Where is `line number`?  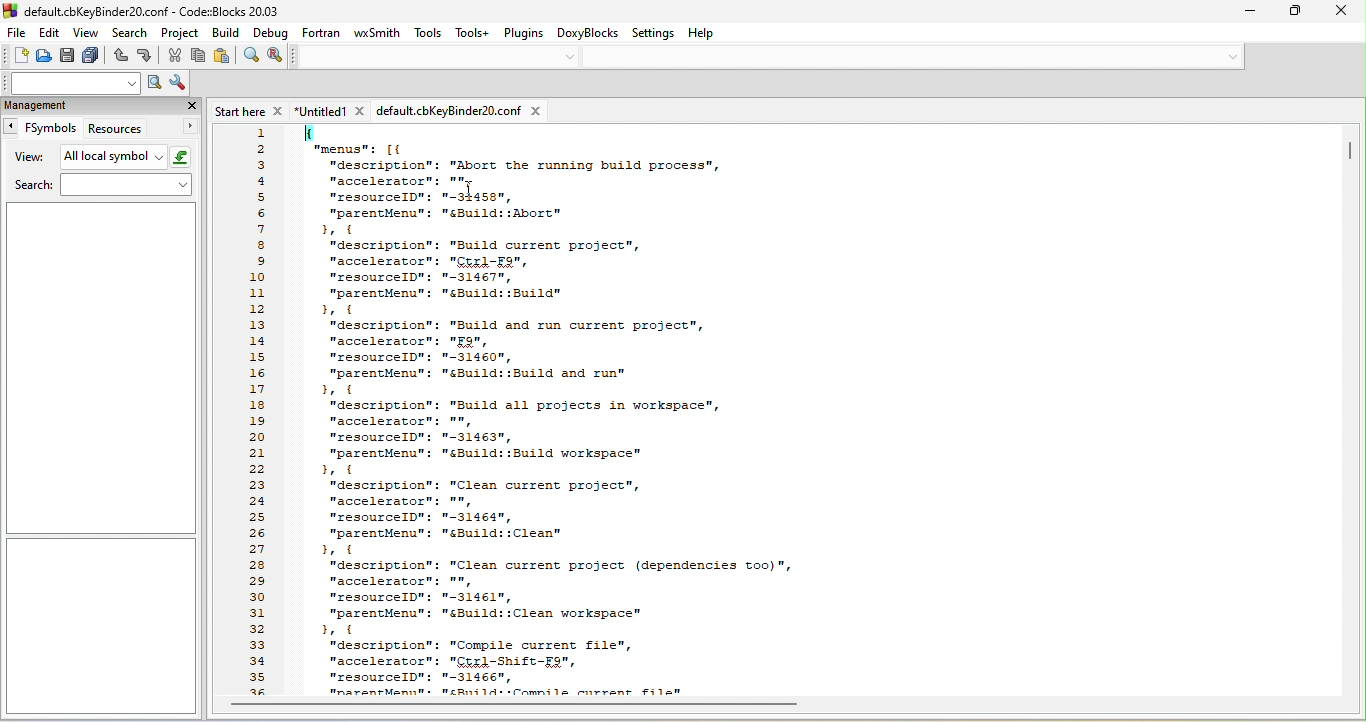 line number is located at coordinates (260, 411).